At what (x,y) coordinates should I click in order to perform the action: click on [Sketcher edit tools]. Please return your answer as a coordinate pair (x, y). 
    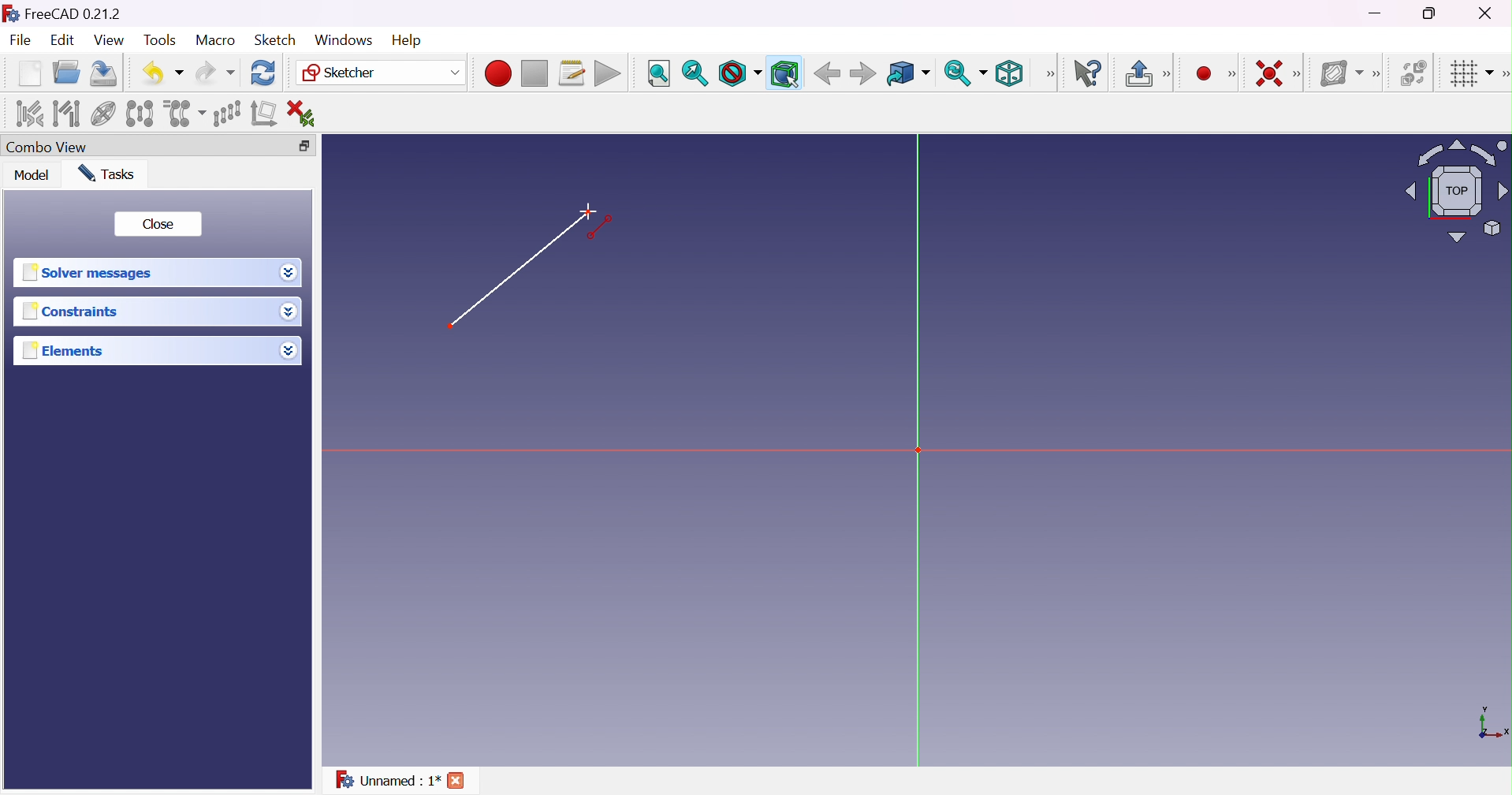
    Looking at the image, I should click on (1503, 77).